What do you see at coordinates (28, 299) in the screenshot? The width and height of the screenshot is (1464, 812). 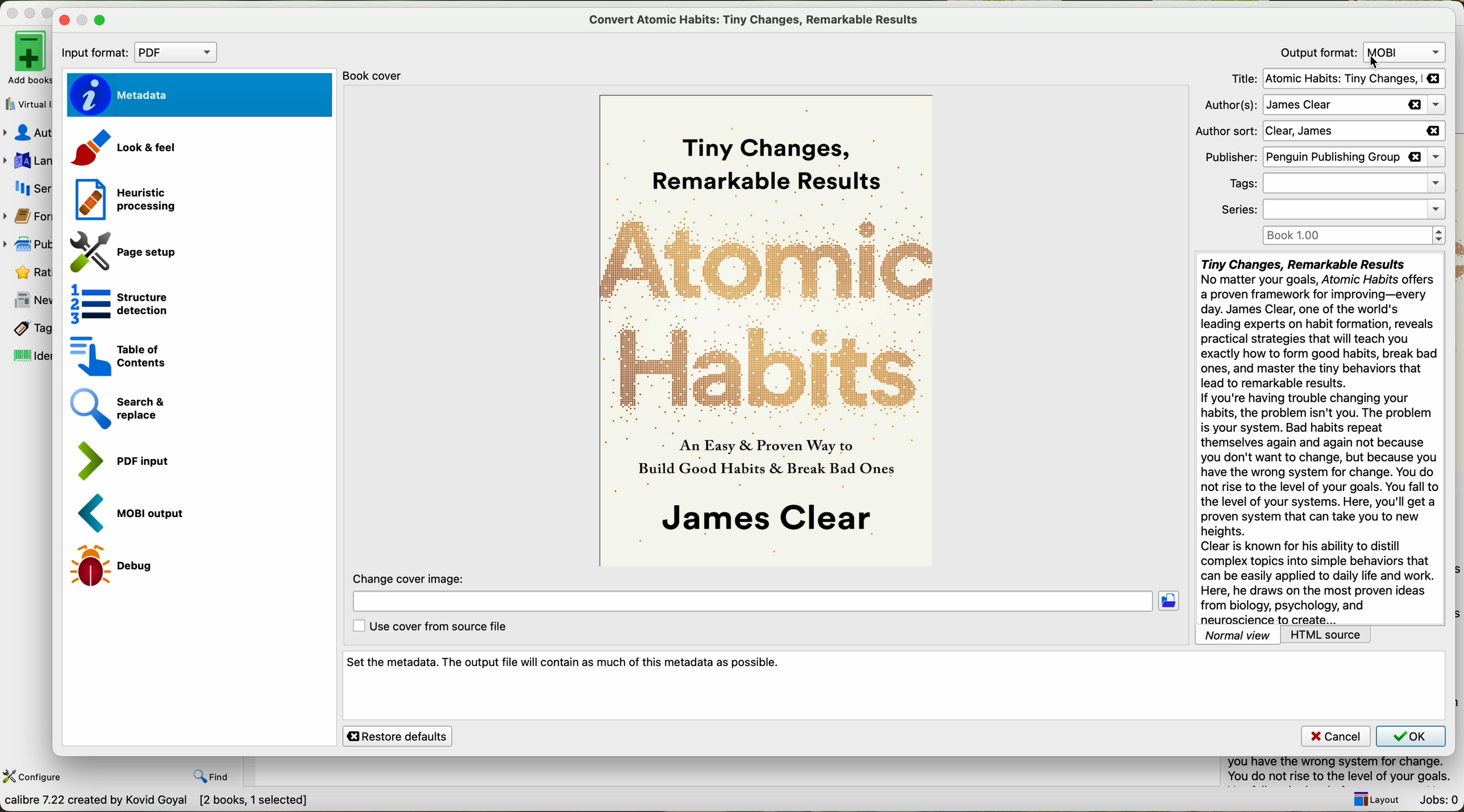 I see `news` at bounding box center [28, 299].